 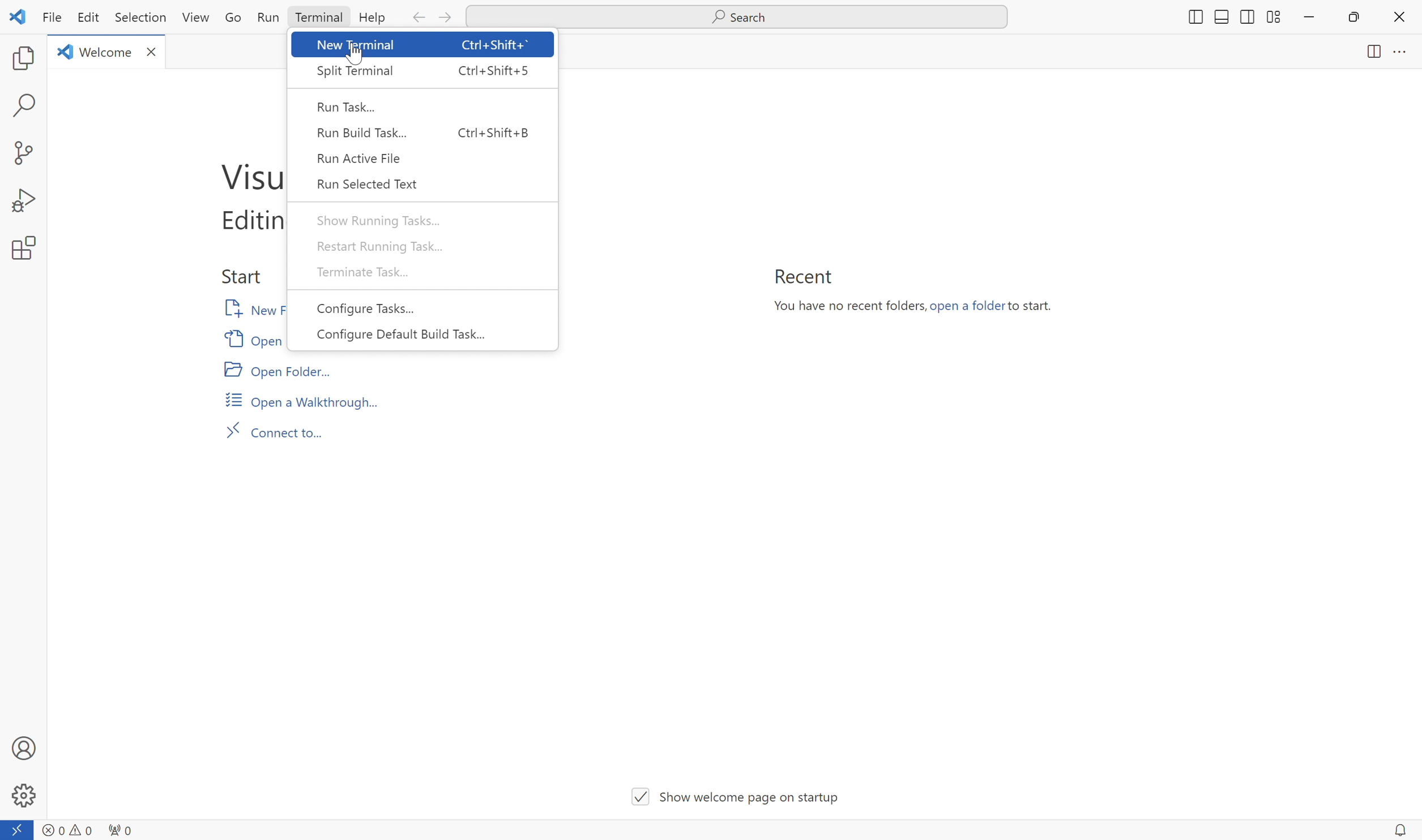 I want to click on Open Folder..., so click(x=276, y=369).